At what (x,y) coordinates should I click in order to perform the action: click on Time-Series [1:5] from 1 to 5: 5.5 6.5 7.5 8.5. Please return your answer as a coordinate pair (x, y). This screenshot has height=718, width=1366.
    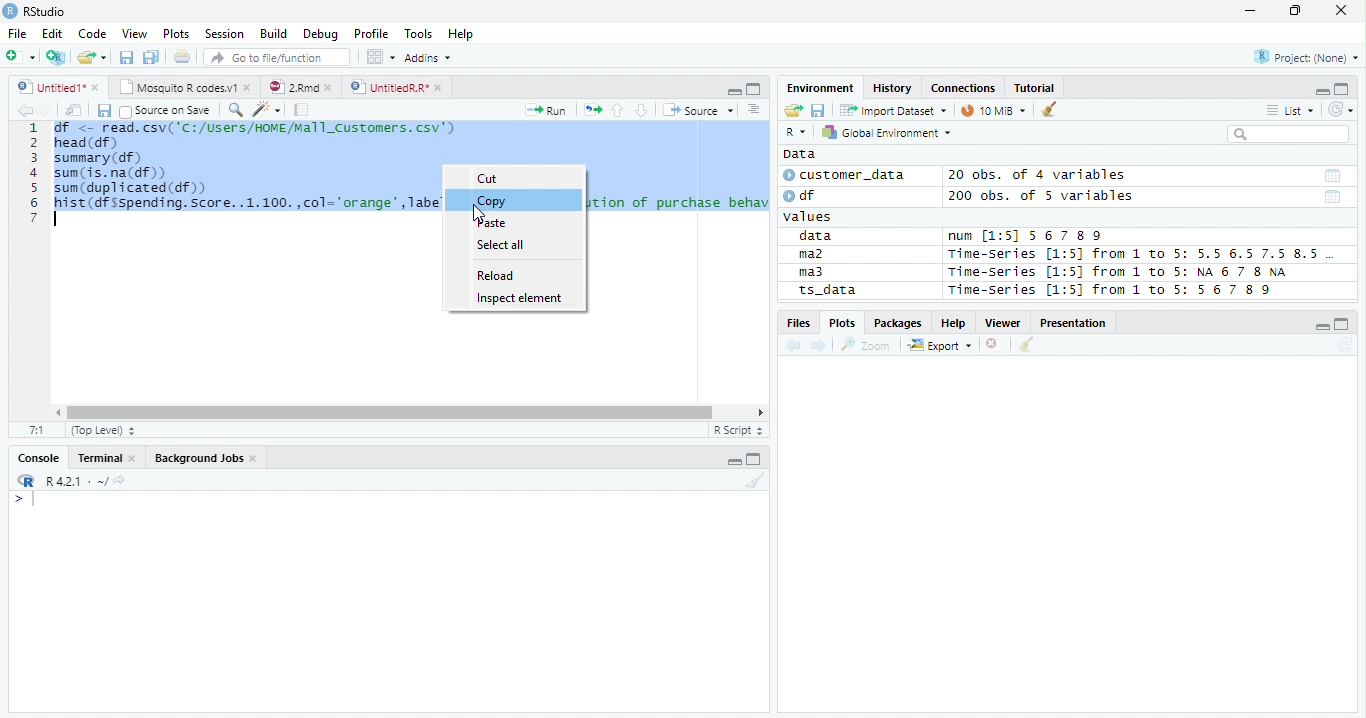
    Looking at the image, I should click on (1137, 255).